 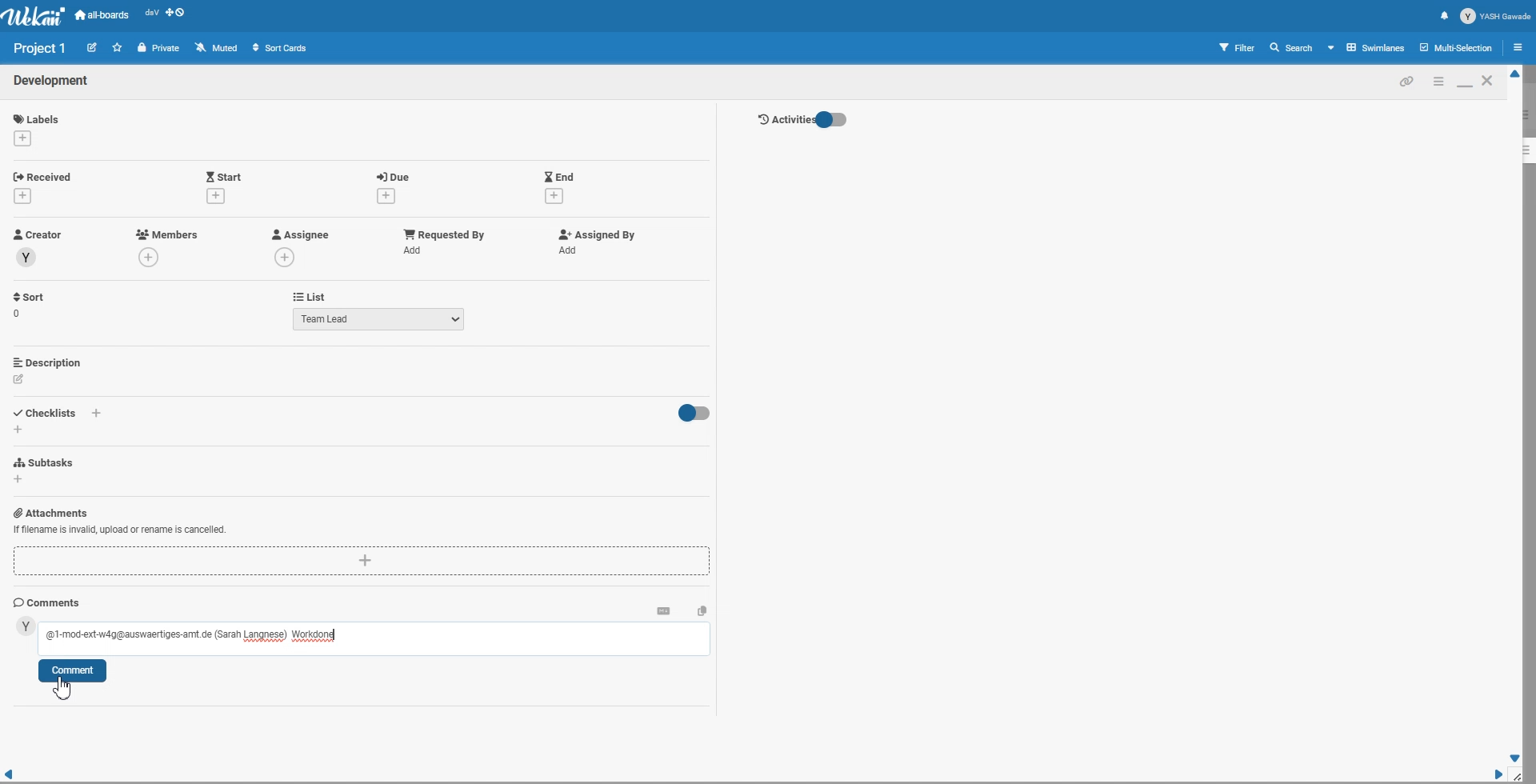 What do you see at coordinates (1489, 80) in the screenshot?
I see `Close` at bounding box center [1489, 80].